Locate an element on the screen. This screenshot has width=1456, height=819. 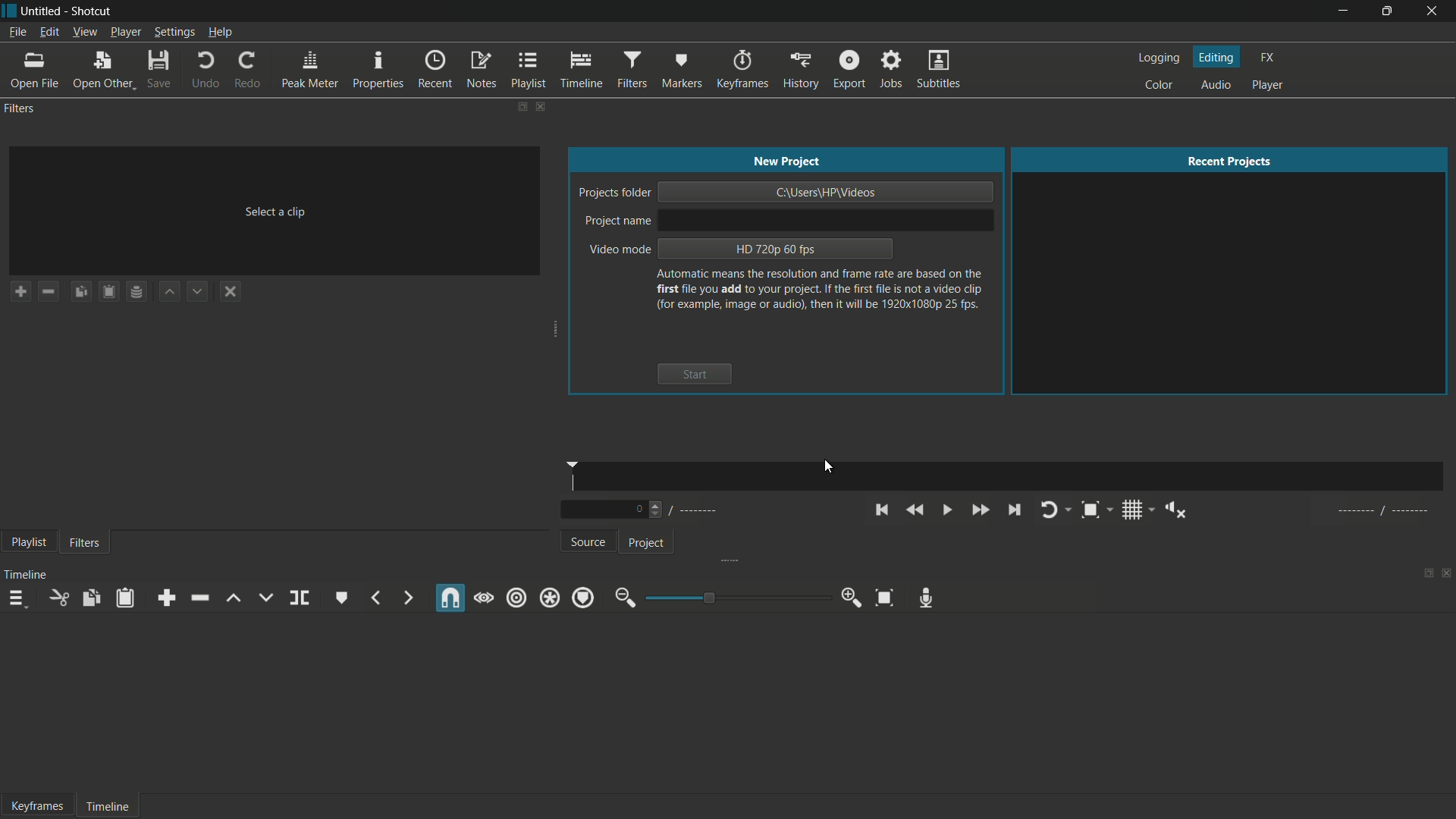
settings menu is located at coordinates (172, 33).